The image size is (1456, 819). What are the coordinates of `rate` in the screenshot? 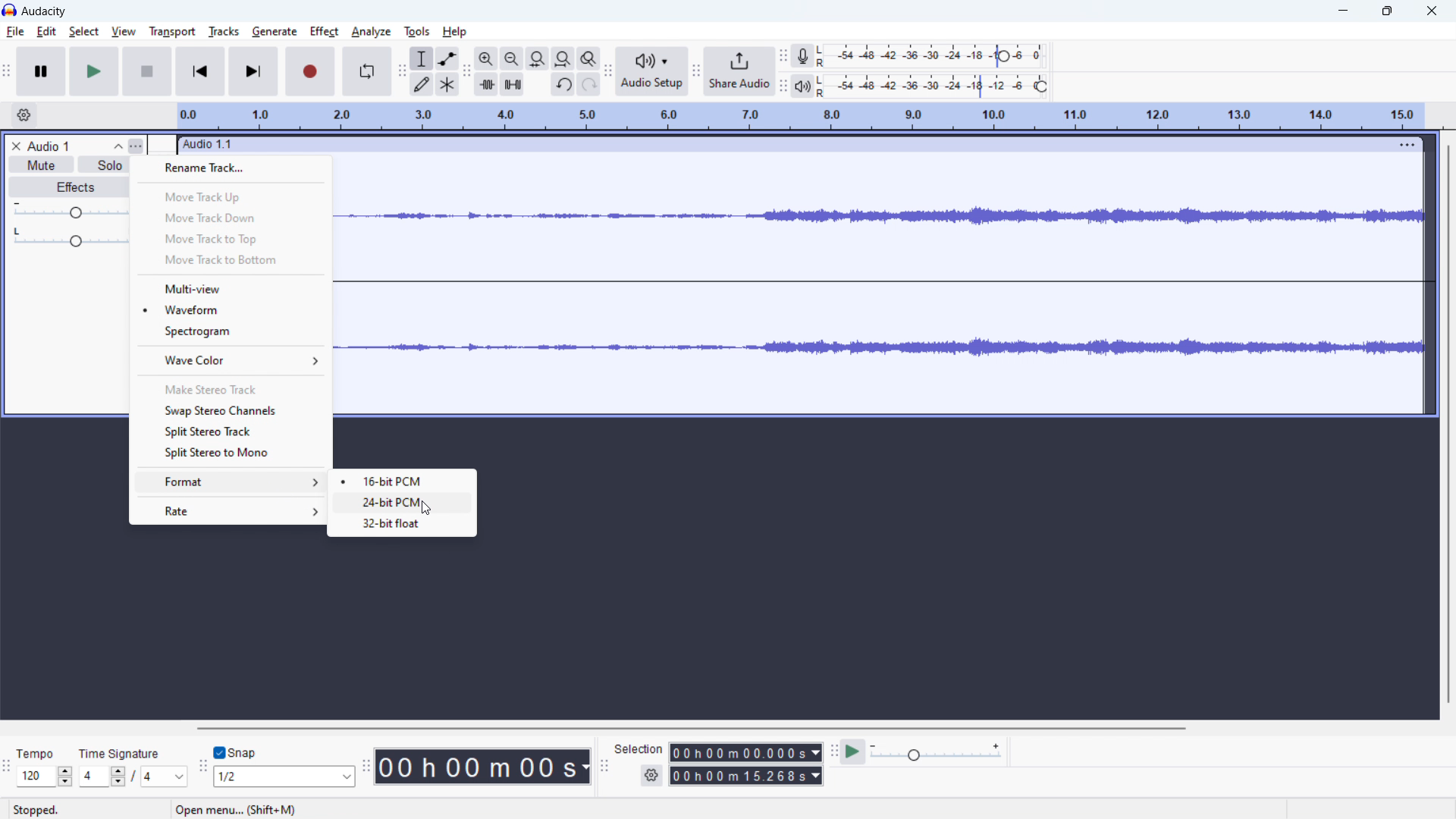 It's located at (230, 510).